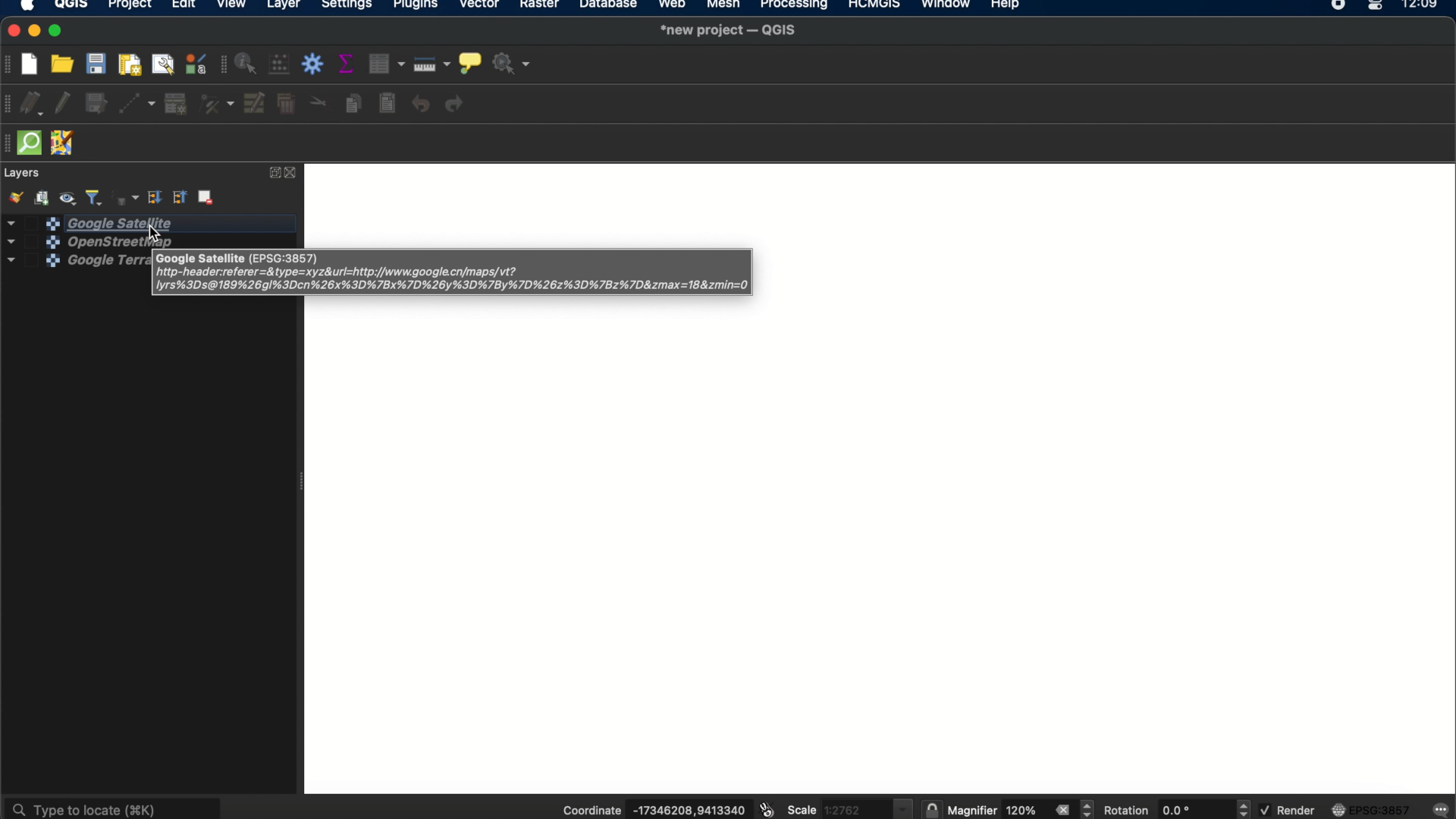  I want to click on project, so click(129, 6).